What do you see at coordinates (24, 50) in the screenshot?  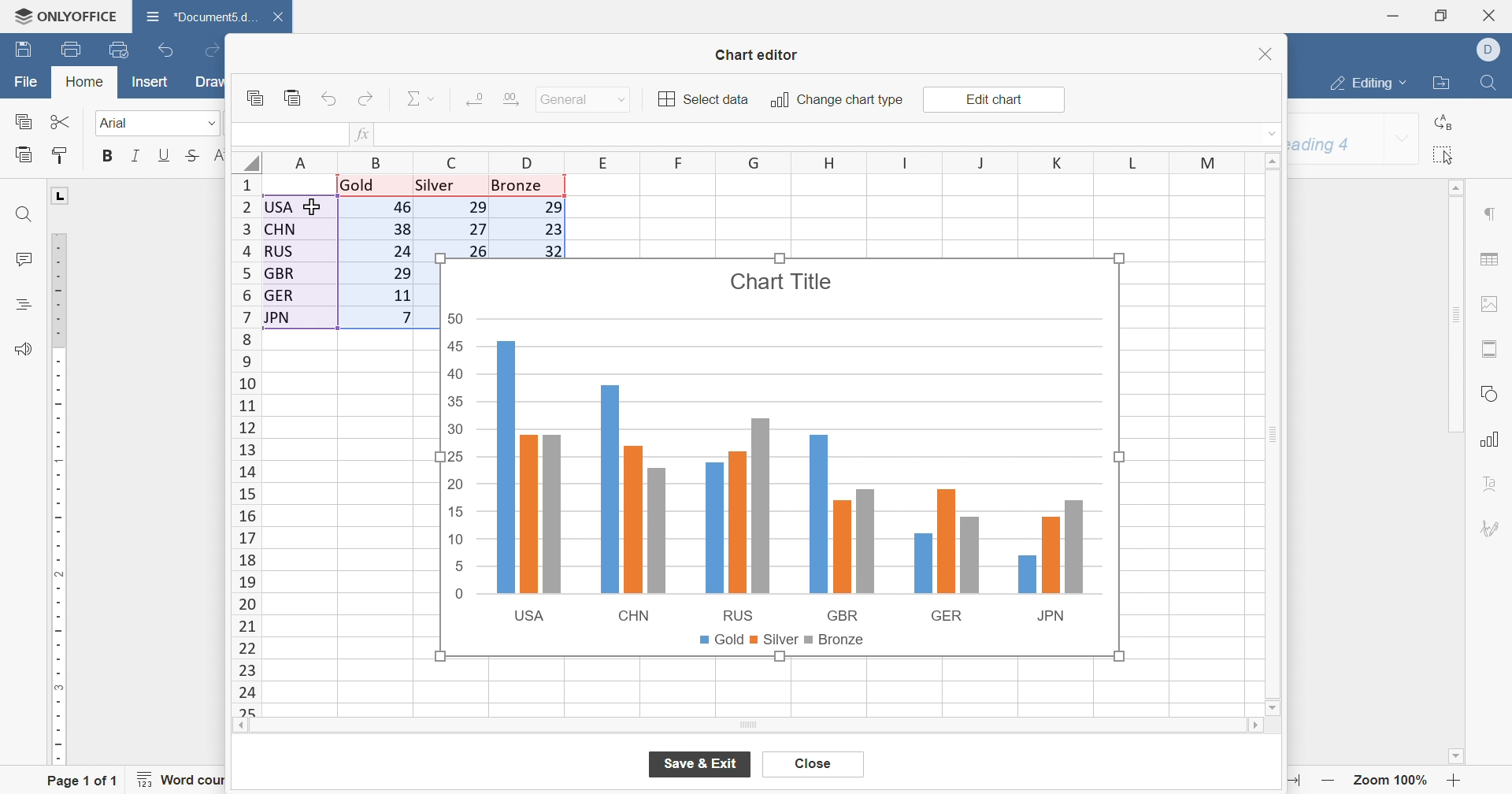 I see `save` at bounding box center [24, 50].